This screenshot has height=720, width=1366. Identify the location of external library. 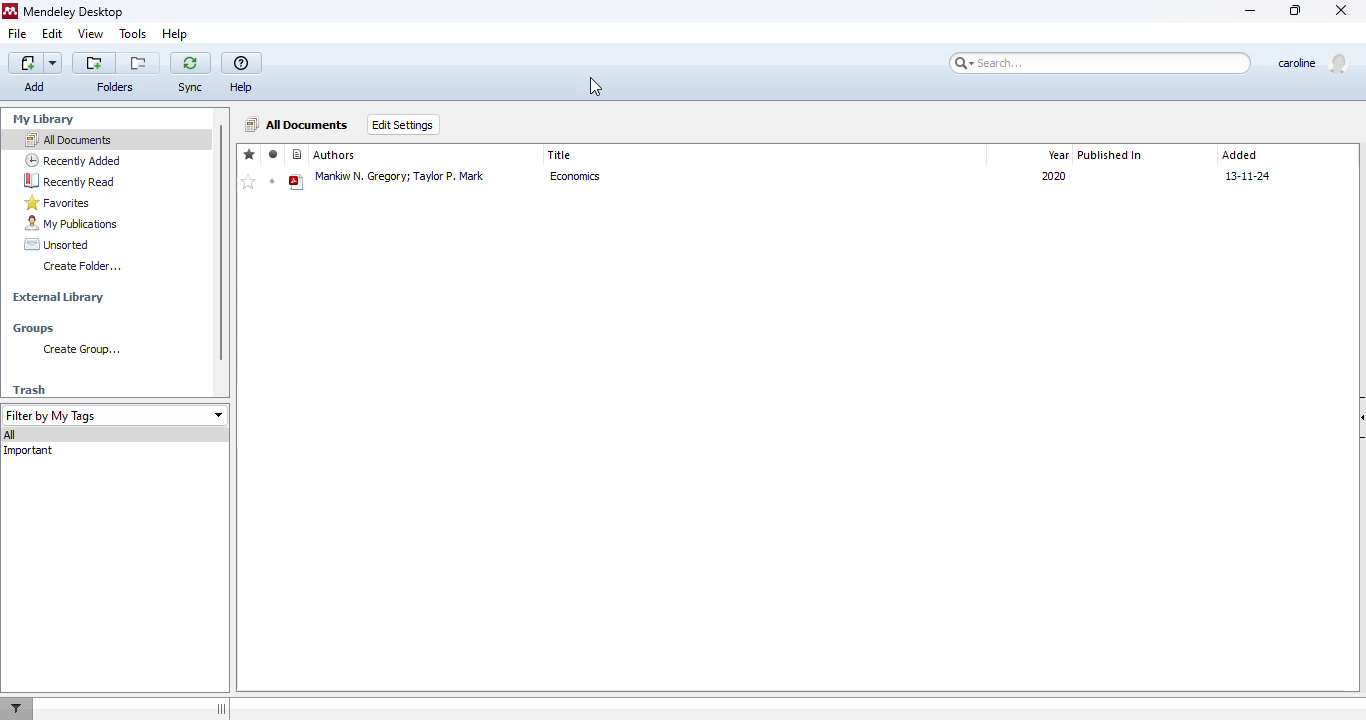
(58, 297).